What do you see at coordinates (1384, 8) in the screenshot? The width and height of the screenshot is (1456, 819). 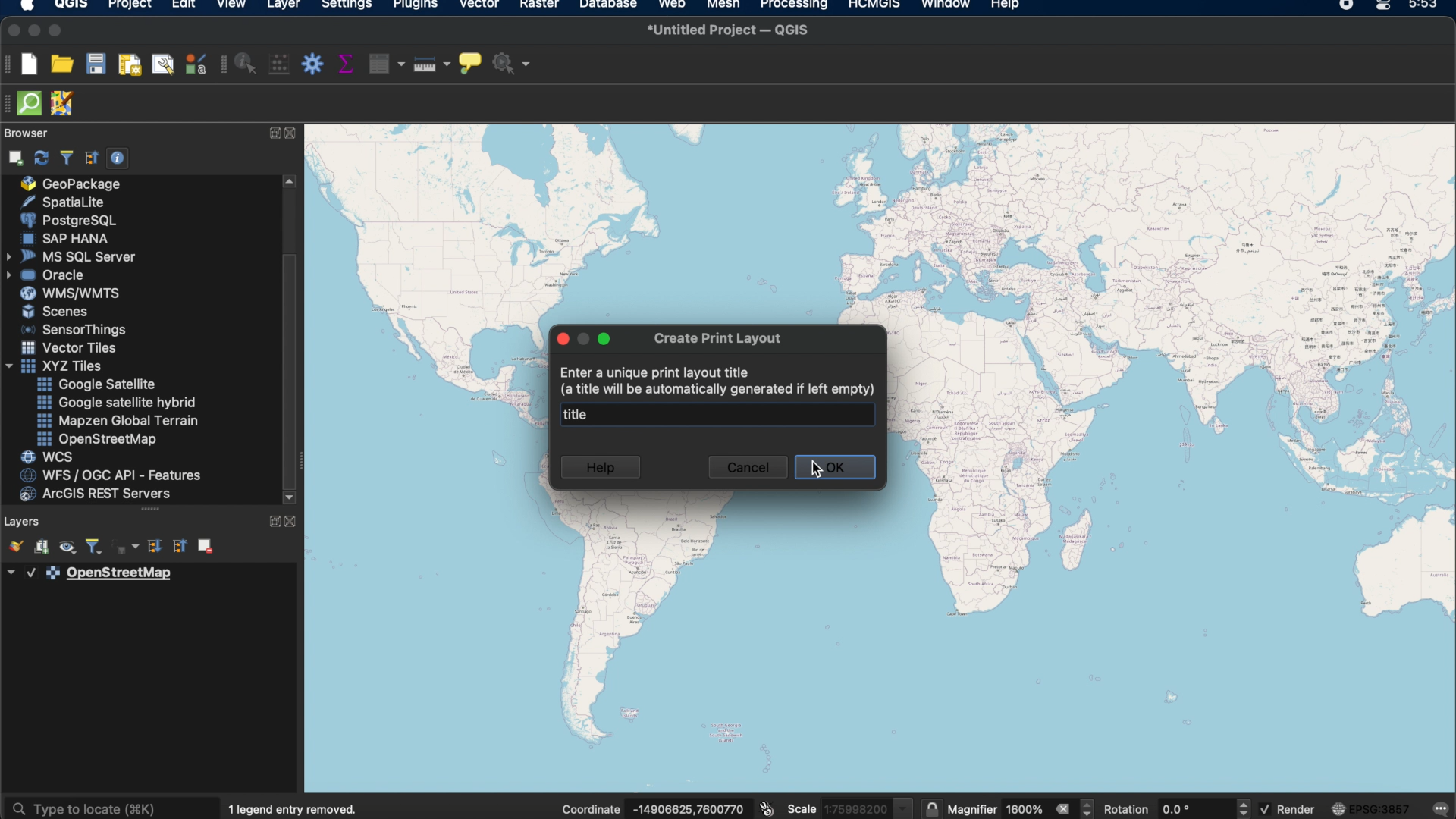 I see `control center` at bounding box center [1384, 8].